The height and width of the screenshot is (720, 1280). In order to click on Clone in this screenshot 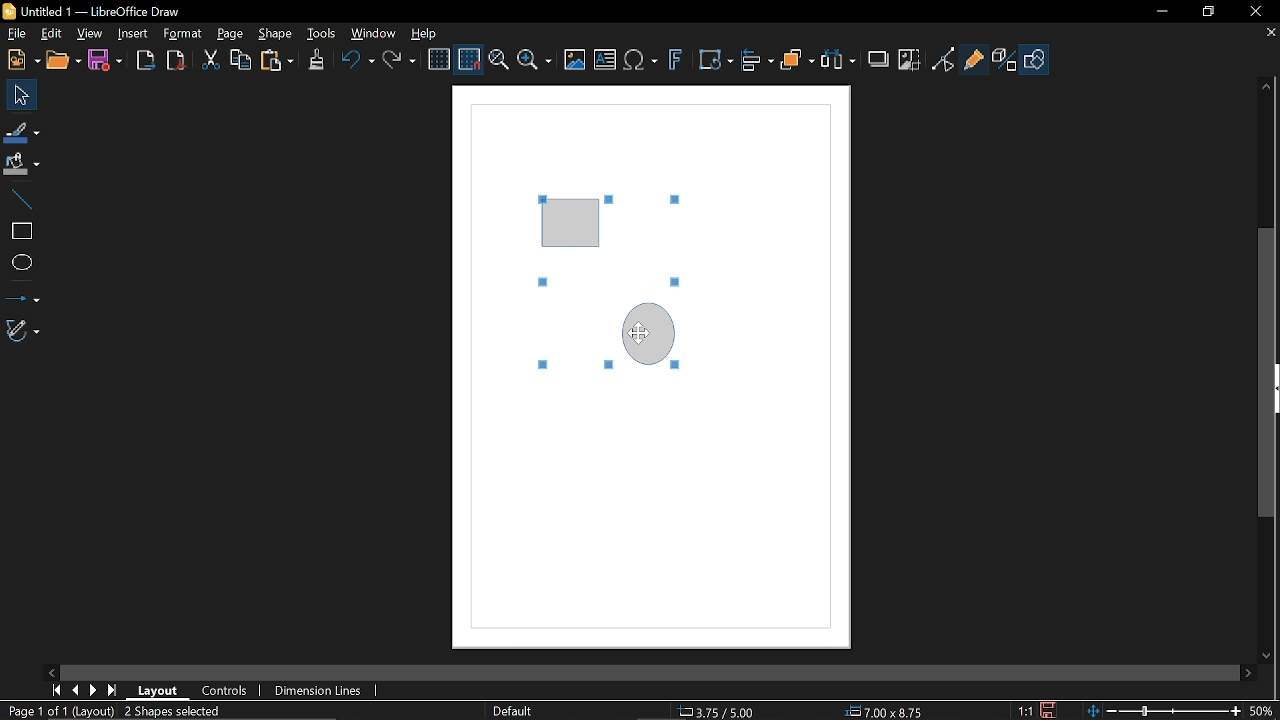, I will do `click(318, 61)`.